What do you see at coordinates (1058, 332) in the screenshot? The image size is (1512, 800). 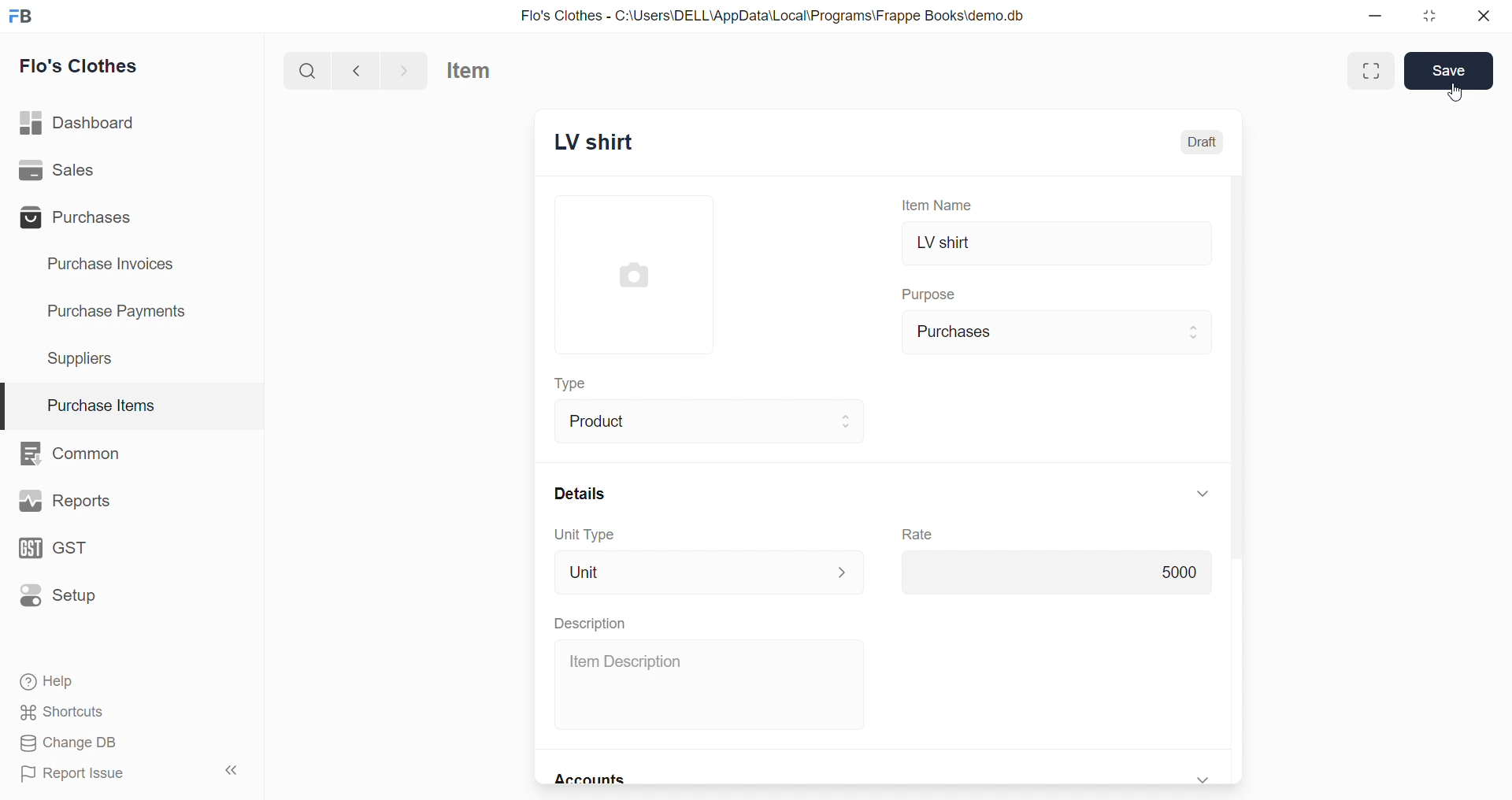 I see `Purchases` at bounding box center [1058, 332].